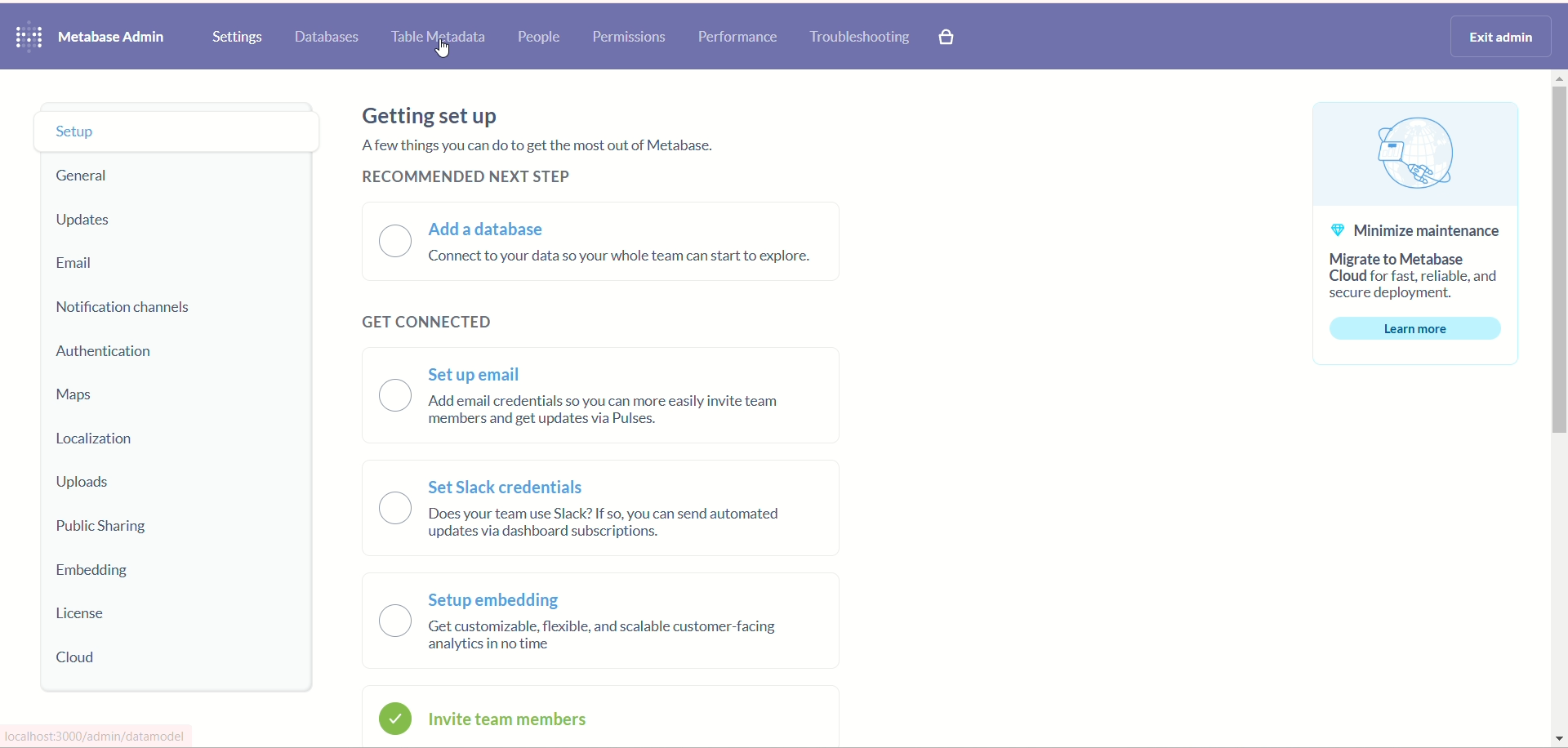  Describe the element at coordinates (94, 220) in the screenshot. I see `updates` at that location.